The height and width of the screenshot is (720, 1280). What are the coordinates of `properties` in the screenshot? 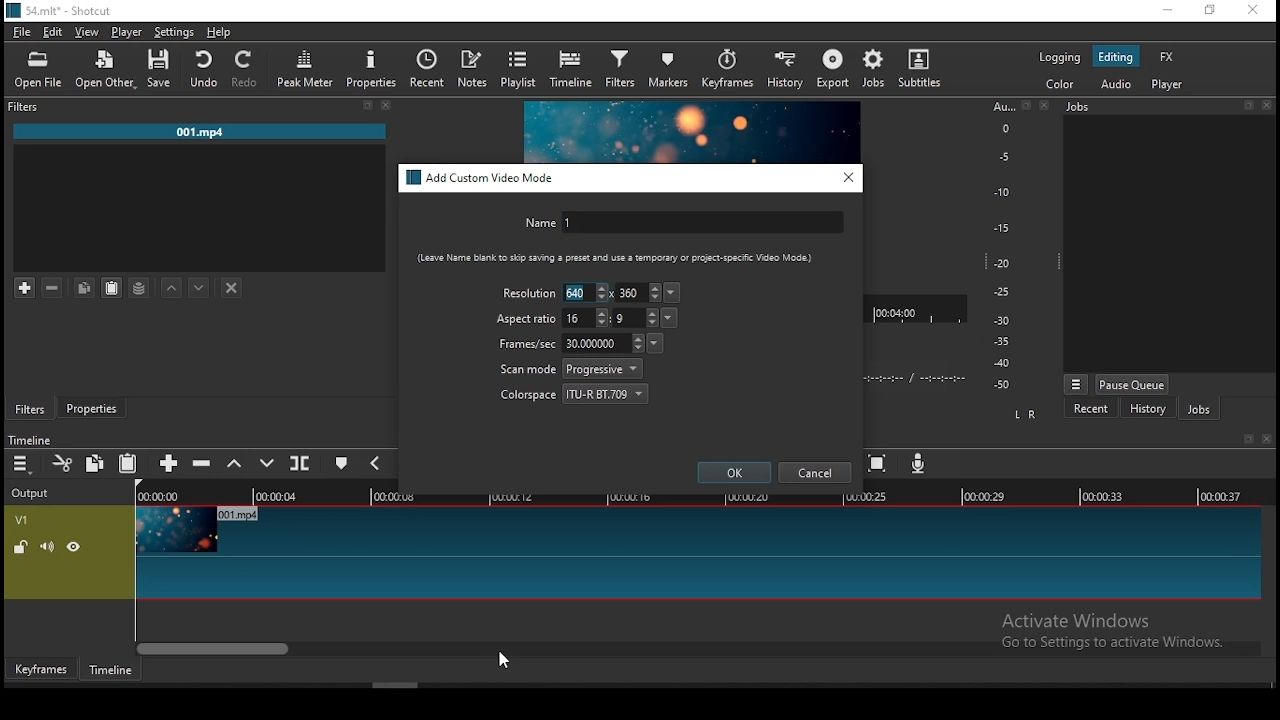 It's located at (373, 68).